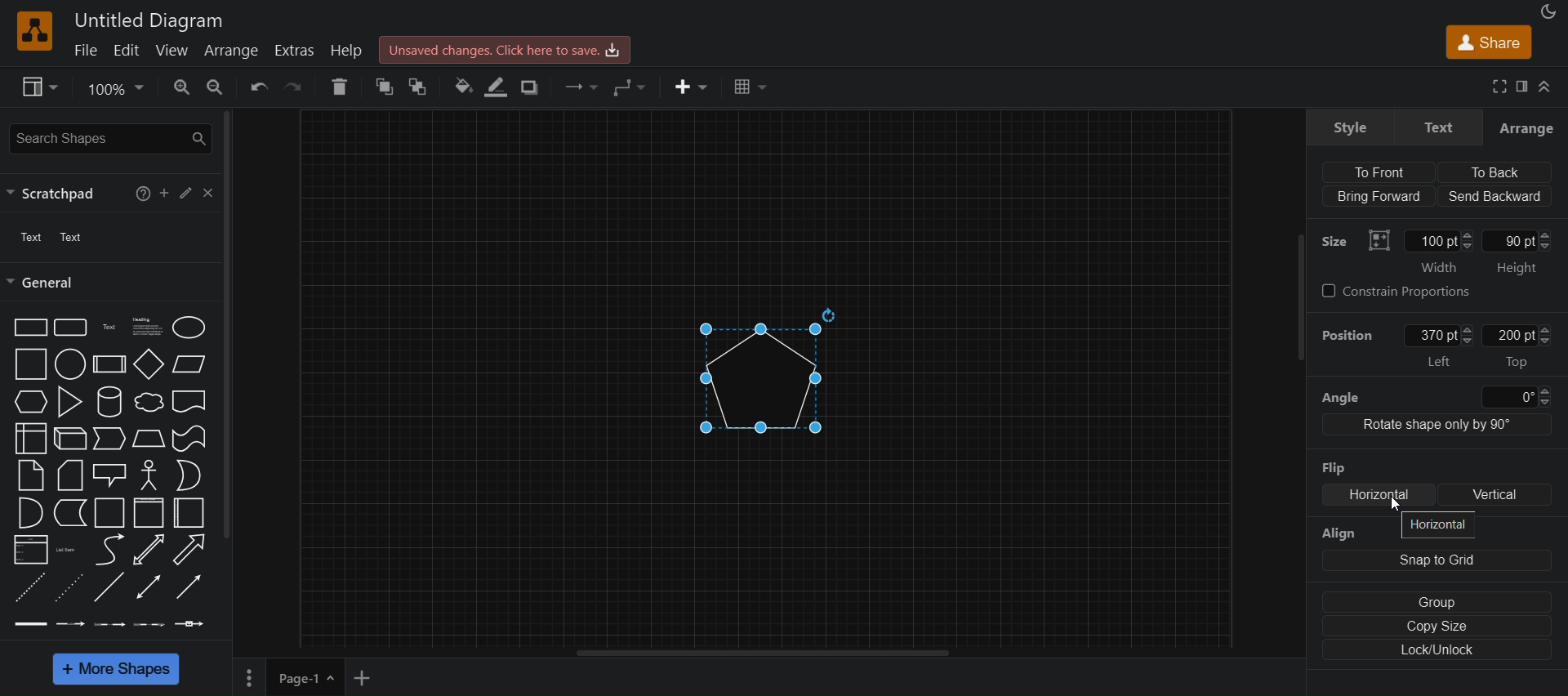  Describe the element at coordinates (31, 513) in the screenshot. I see `And` at that location.